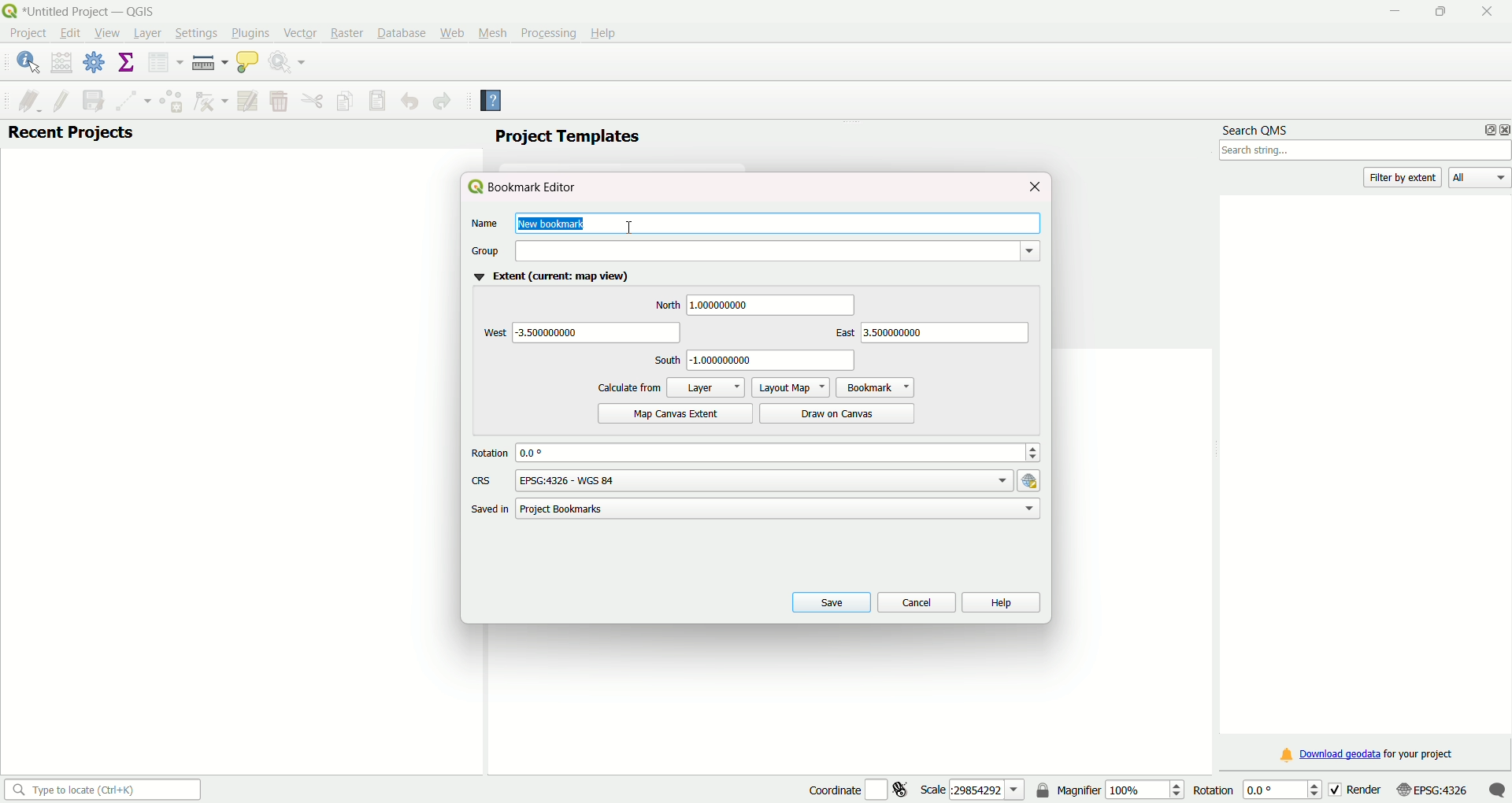 The height and width of the screenshot is (803, 1512). What do you see at coordinates (487, 251) in the screenshot?
I see `group` at bounding box center [487, 251].